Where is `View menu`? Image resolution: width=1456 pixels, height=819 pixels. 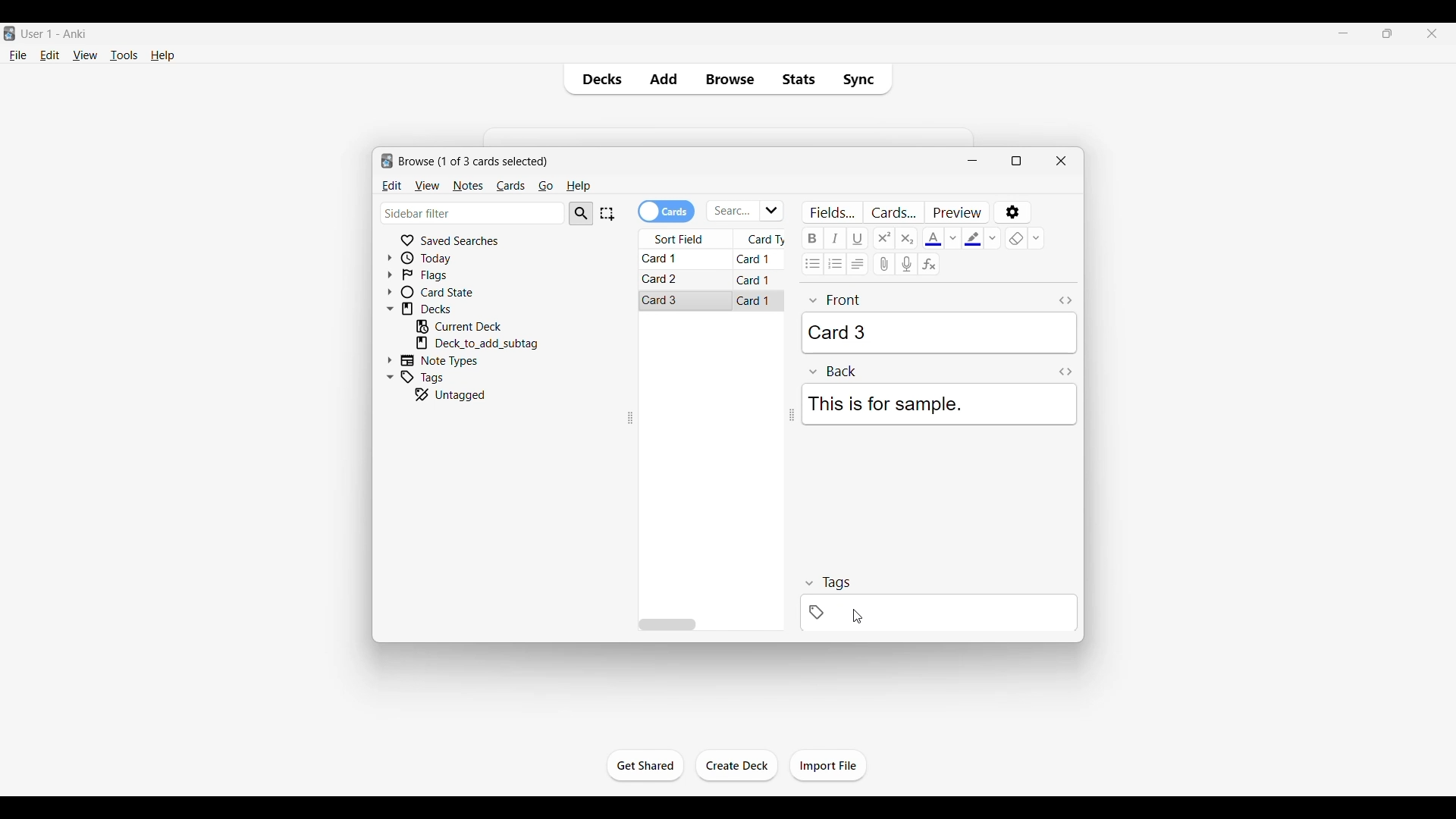
View menu is located at coordinates (86, 55).